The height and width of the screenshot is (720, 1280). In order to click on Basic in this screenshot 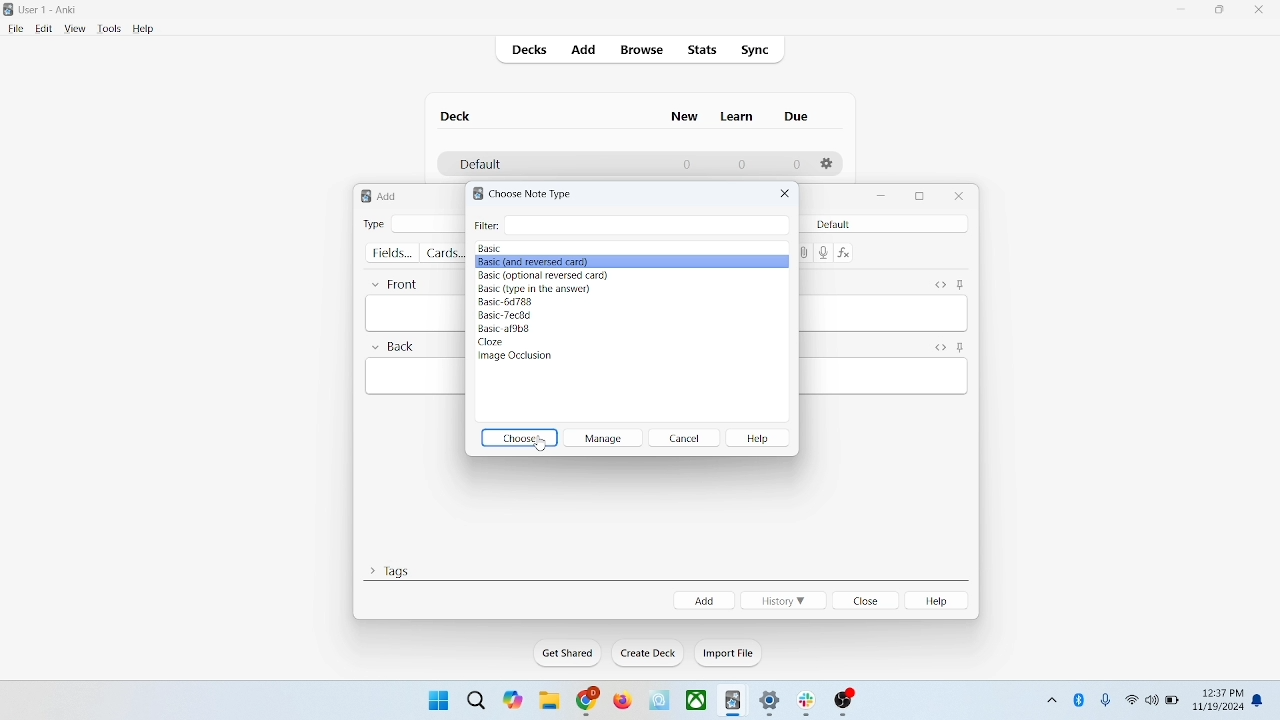, I will do `click(631, 247)`.